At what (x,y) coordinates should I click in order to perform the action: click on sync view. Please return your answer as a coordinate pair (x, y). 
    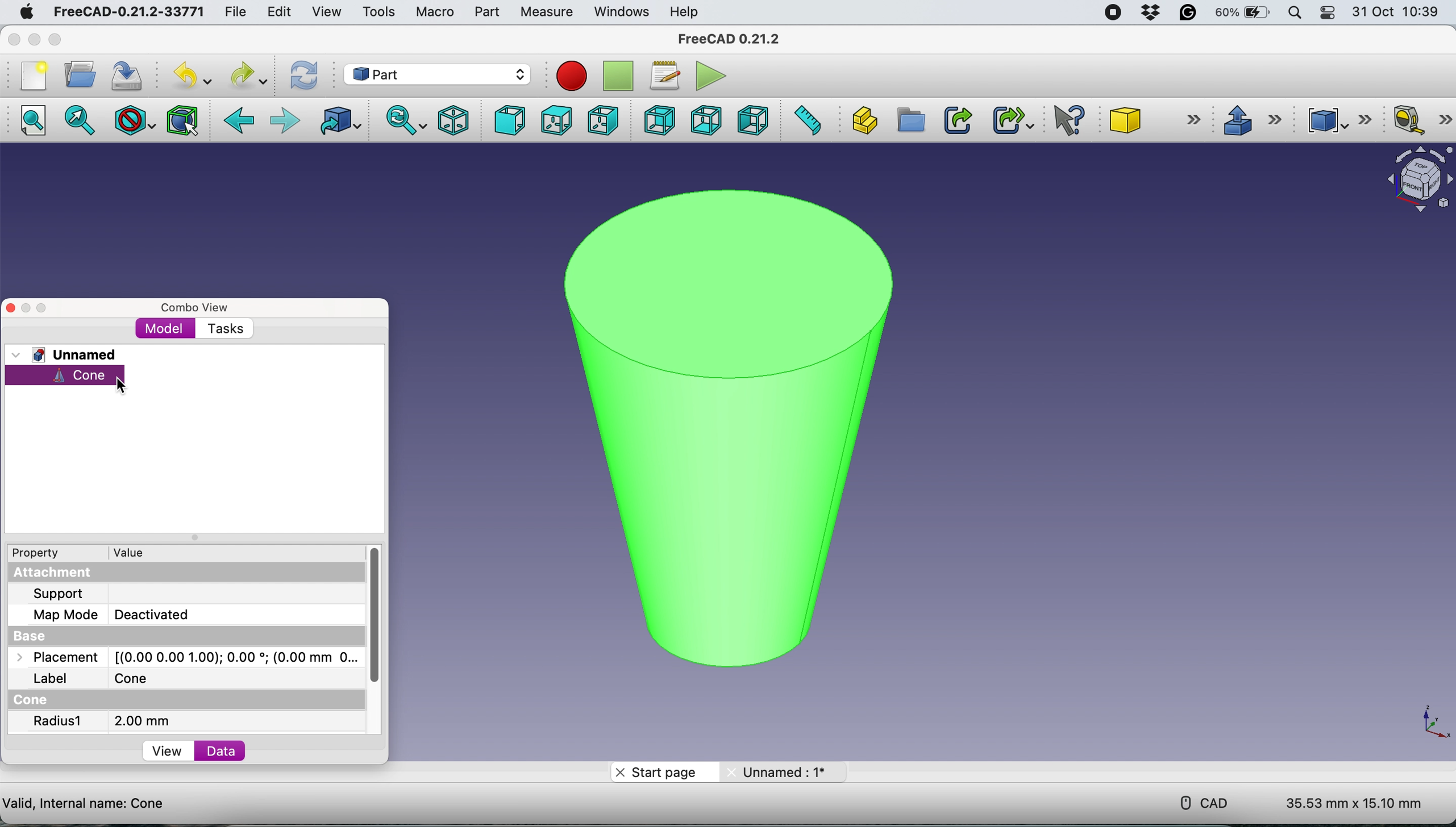
    Looking at the image, I should click on (403, 120).